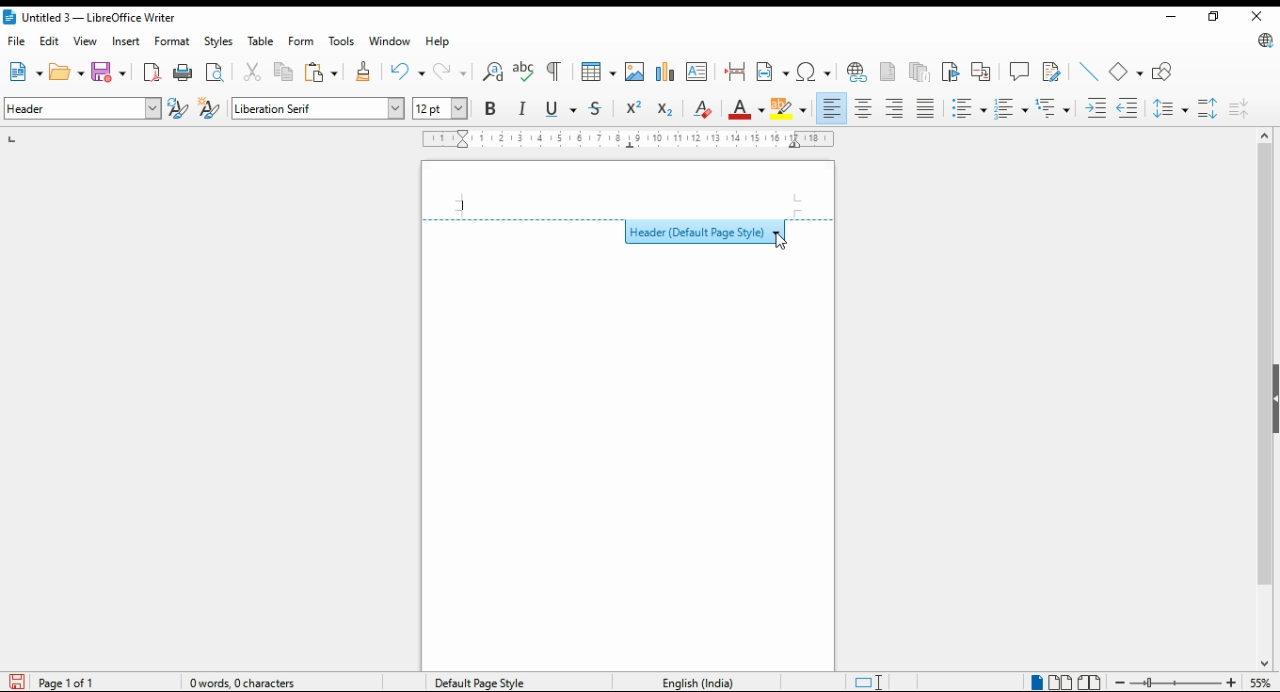 This screenshot has width=1280, height=692. Describe the element at coordinates (484, 682) in the screenshot. I see `page style` at that location.